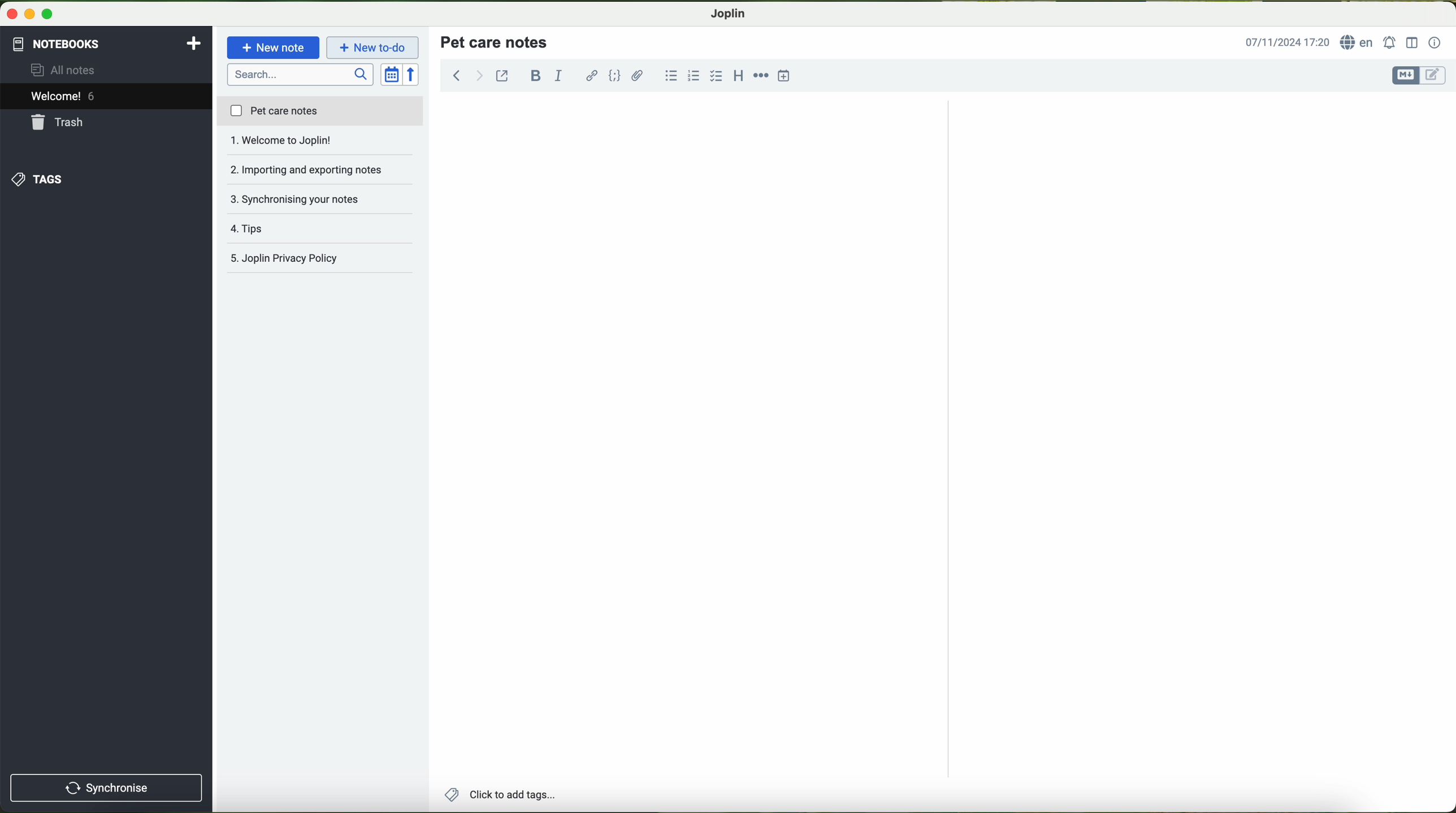  What do you see at coordinates (106, 788) in the screenshot?
I see `synchronise button` at bounding box center [106, 788].